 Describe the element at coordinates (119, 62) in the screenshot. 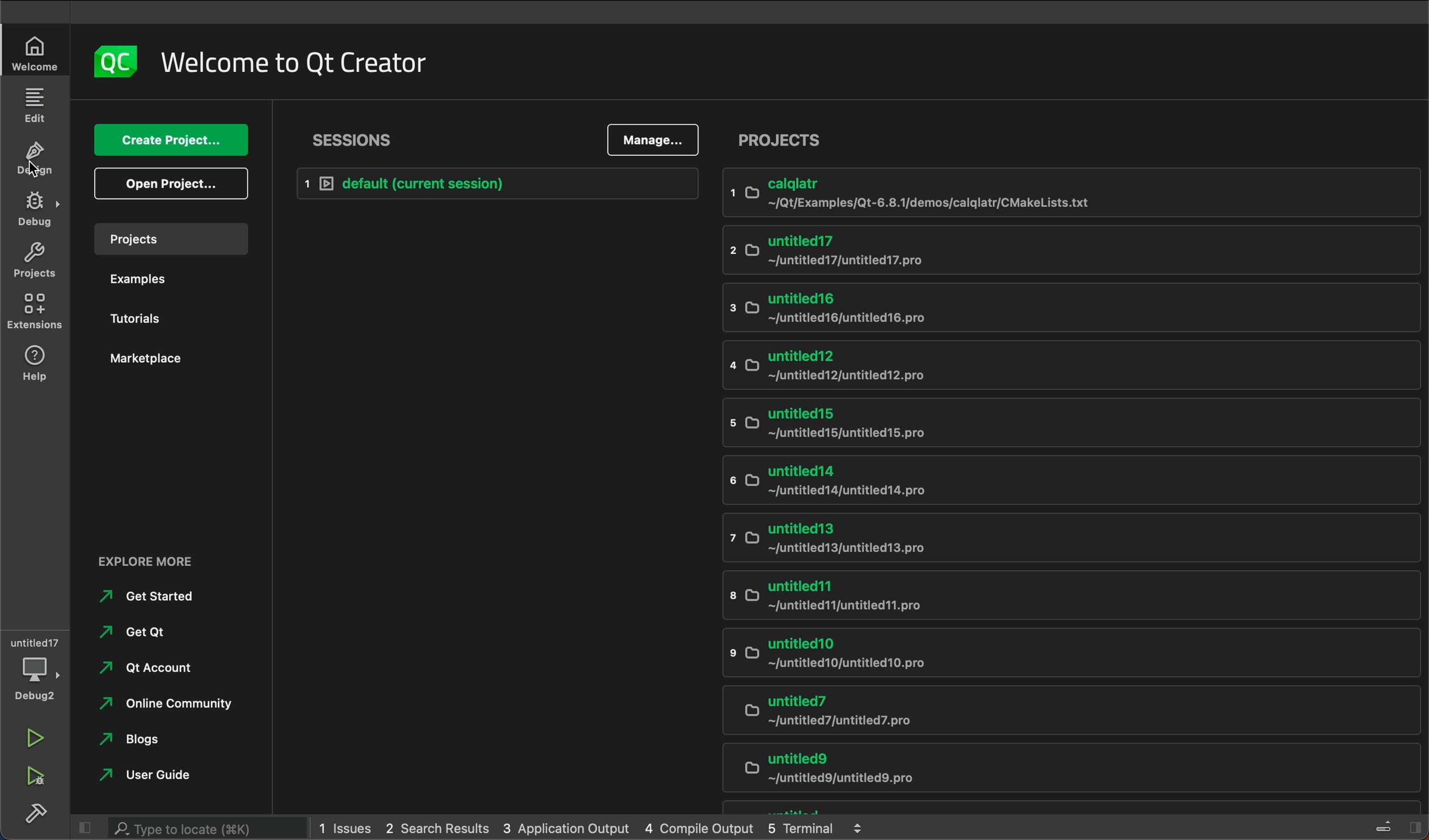

I see `logo` at that location.